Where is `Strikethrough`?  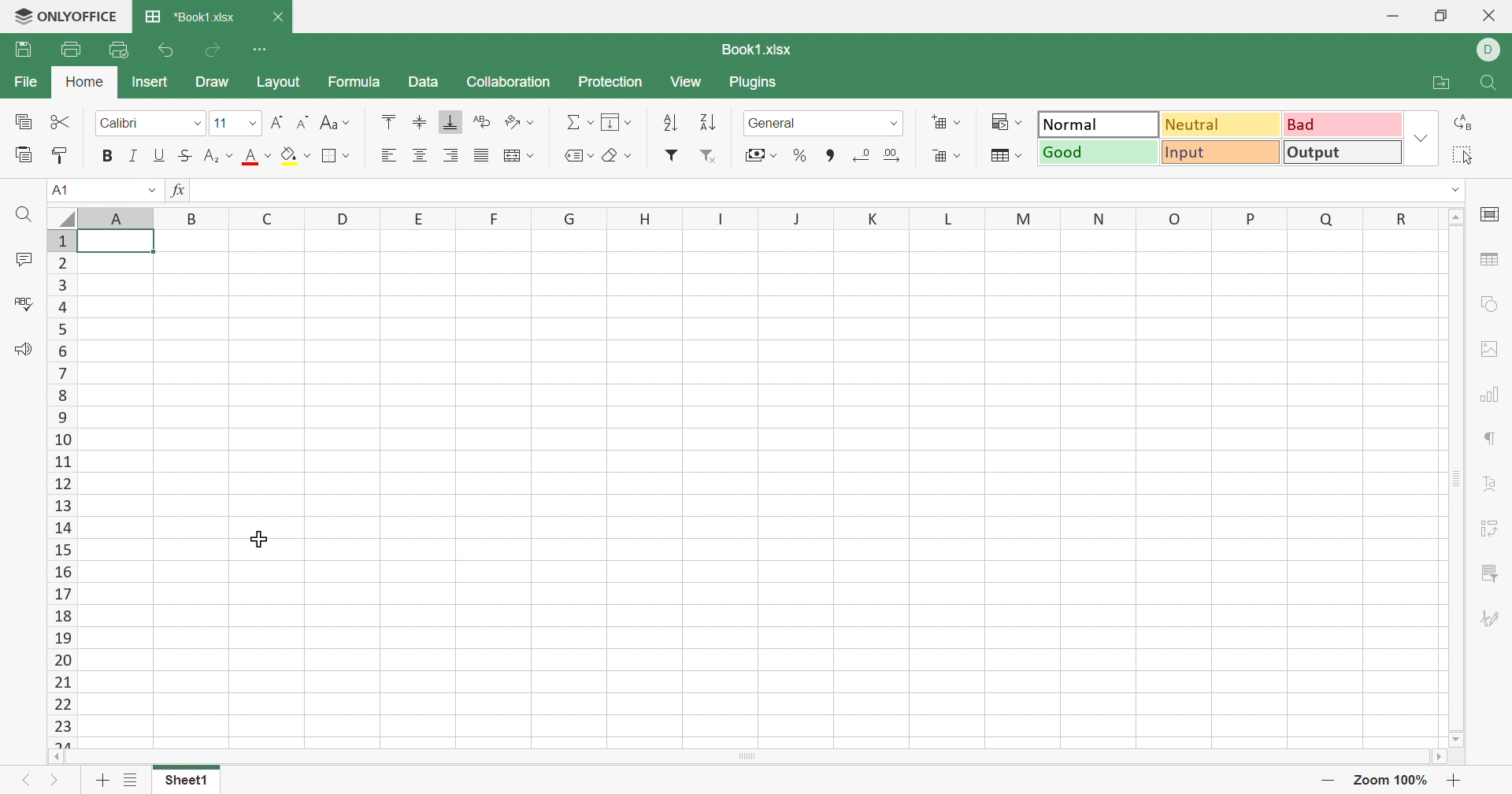
Strikethrough is located at coordinates (183, 156).